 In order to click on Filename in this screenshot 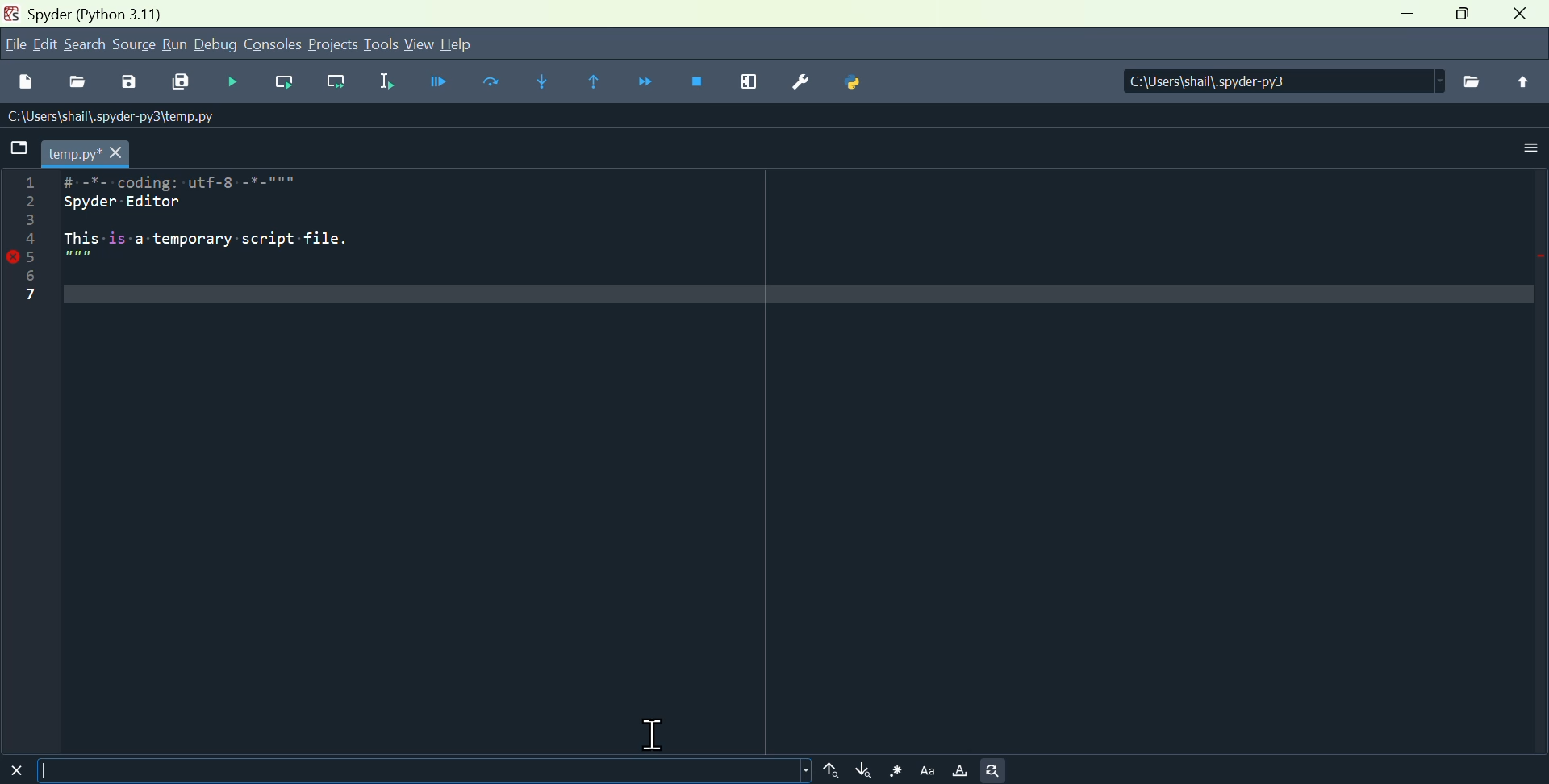, I will do `click(88, 153)`.